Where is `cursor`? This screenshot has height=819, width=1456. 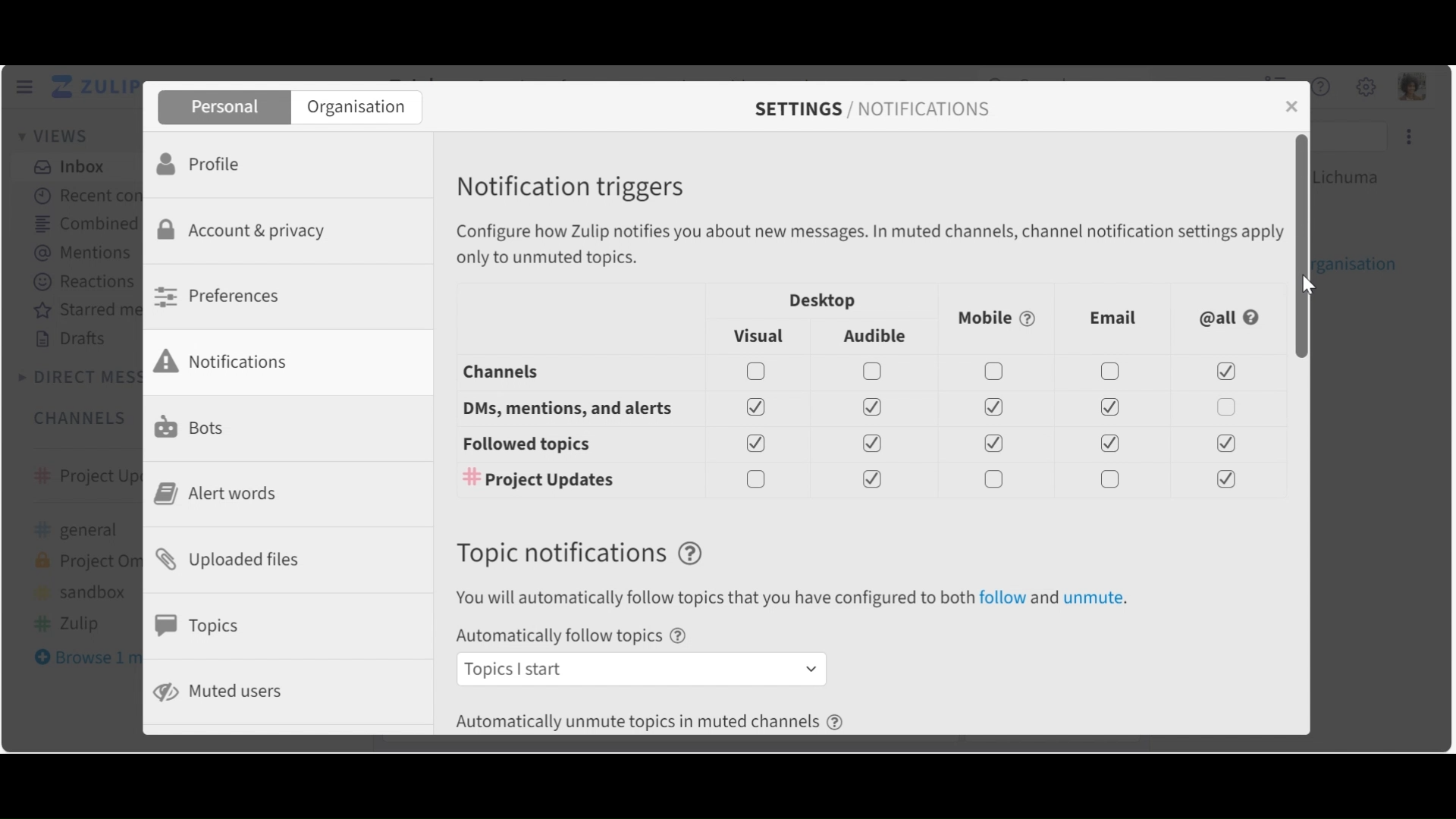 cursor is located at coordinates (1312, 284).